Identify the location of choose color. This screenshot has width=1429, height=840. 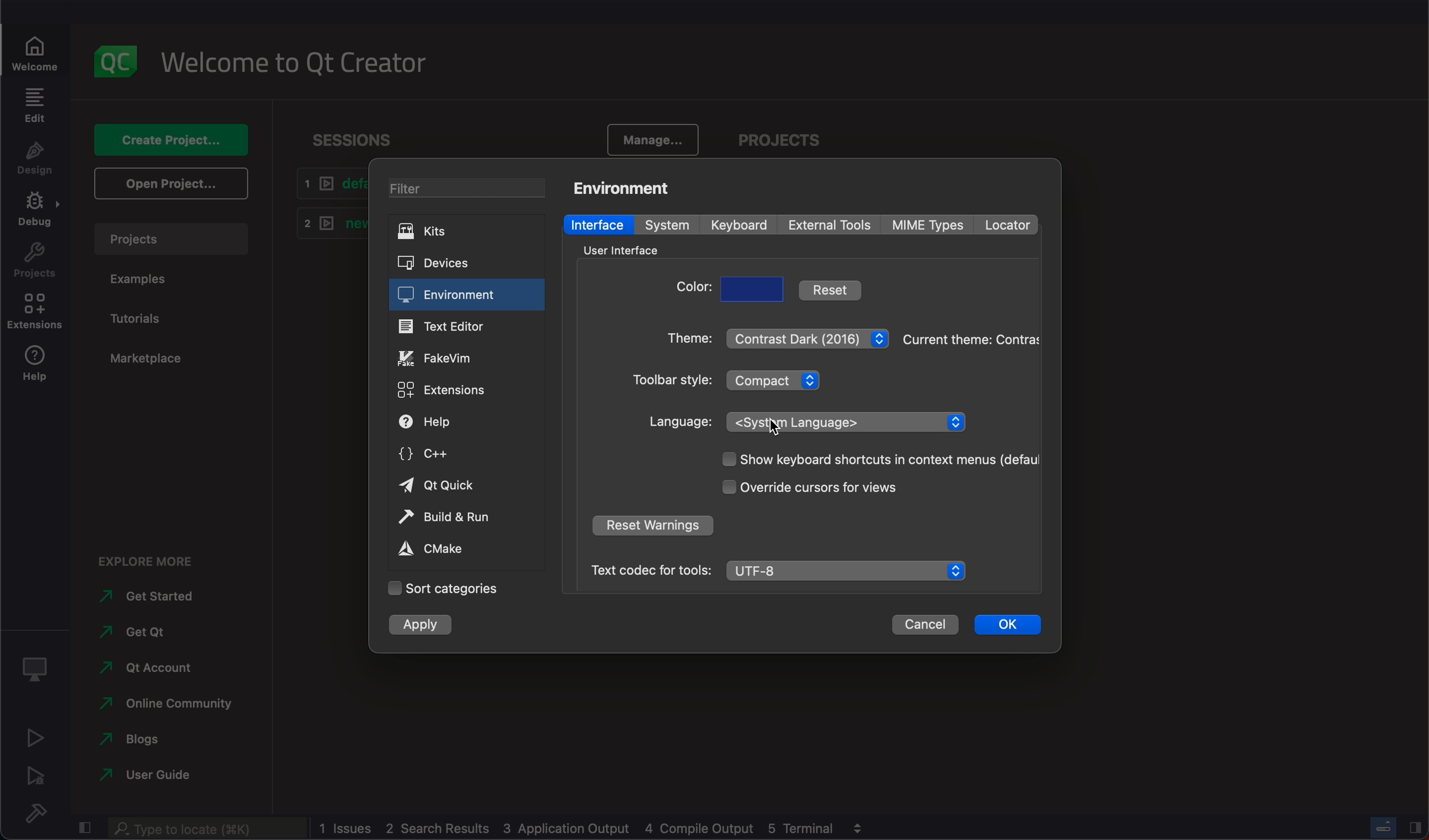
(754, 289).